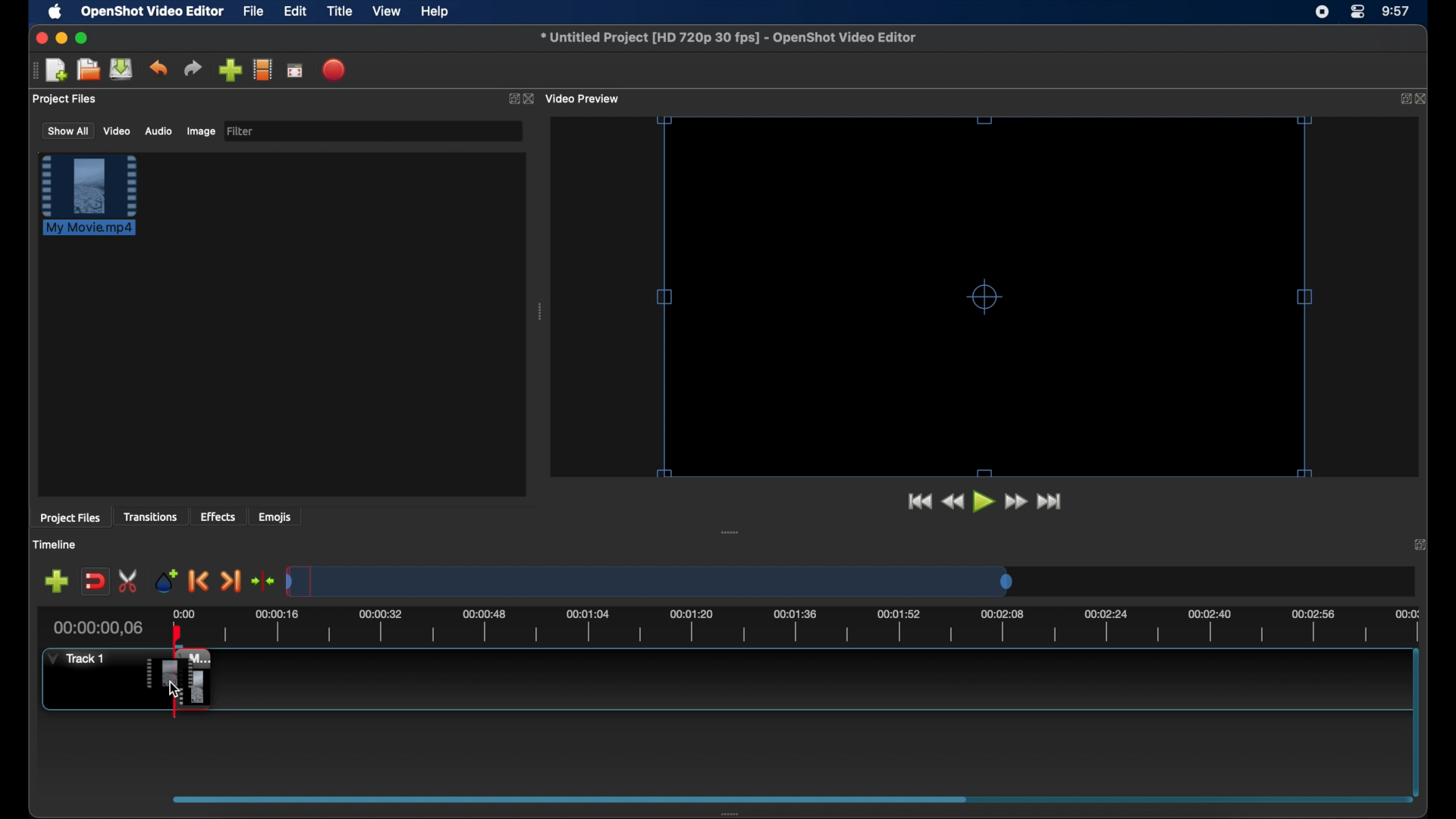 The image size is (1456, 819). I want to click on add marker, so click(166, 579).